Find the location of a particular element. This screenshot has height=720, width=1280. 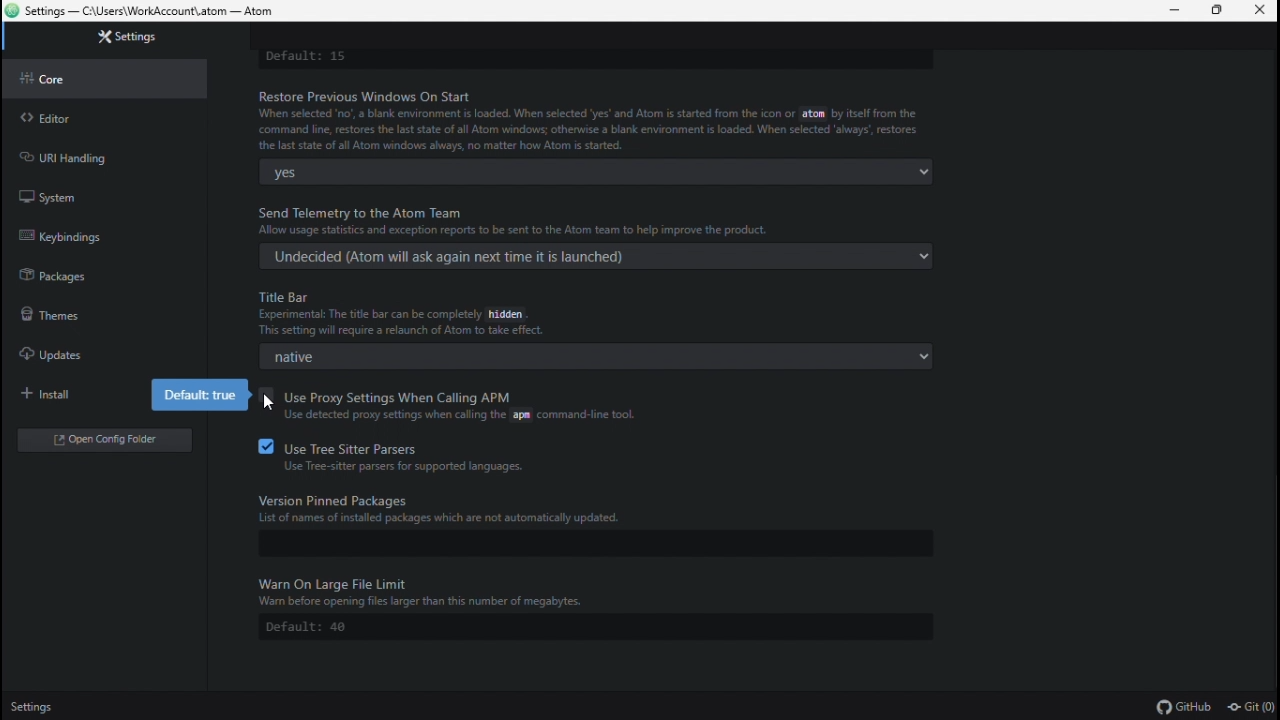

Use tree sitter is located at coordinates (445, 457).